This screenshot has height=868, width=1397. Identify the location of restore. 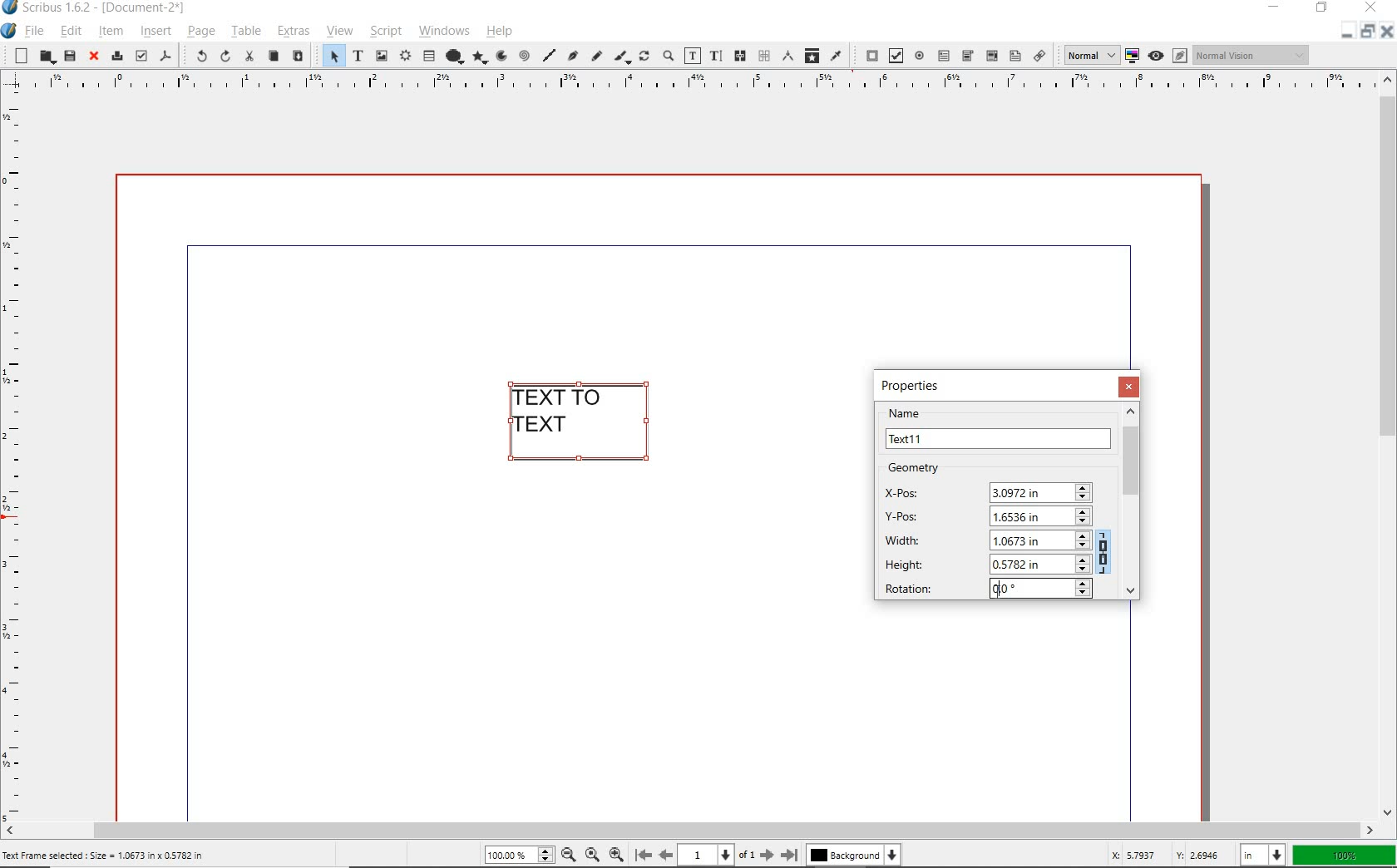
(1322, 9).